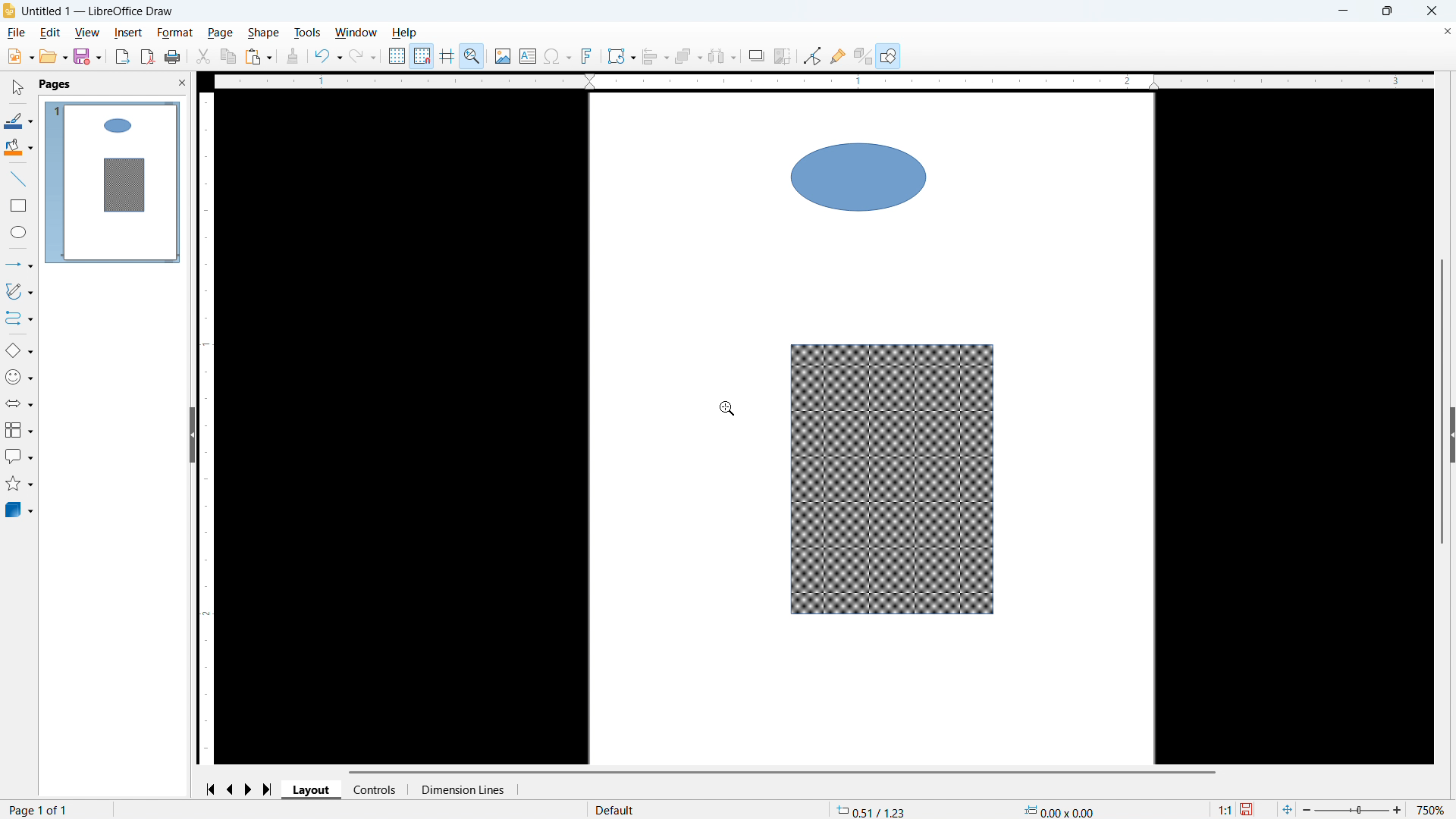 Image resolution: width=1456 pixels, height=819 pixels. What do you see at coordinates (17, 33) in the screenshot?
I see `file ` at bounding box center [17, 33].